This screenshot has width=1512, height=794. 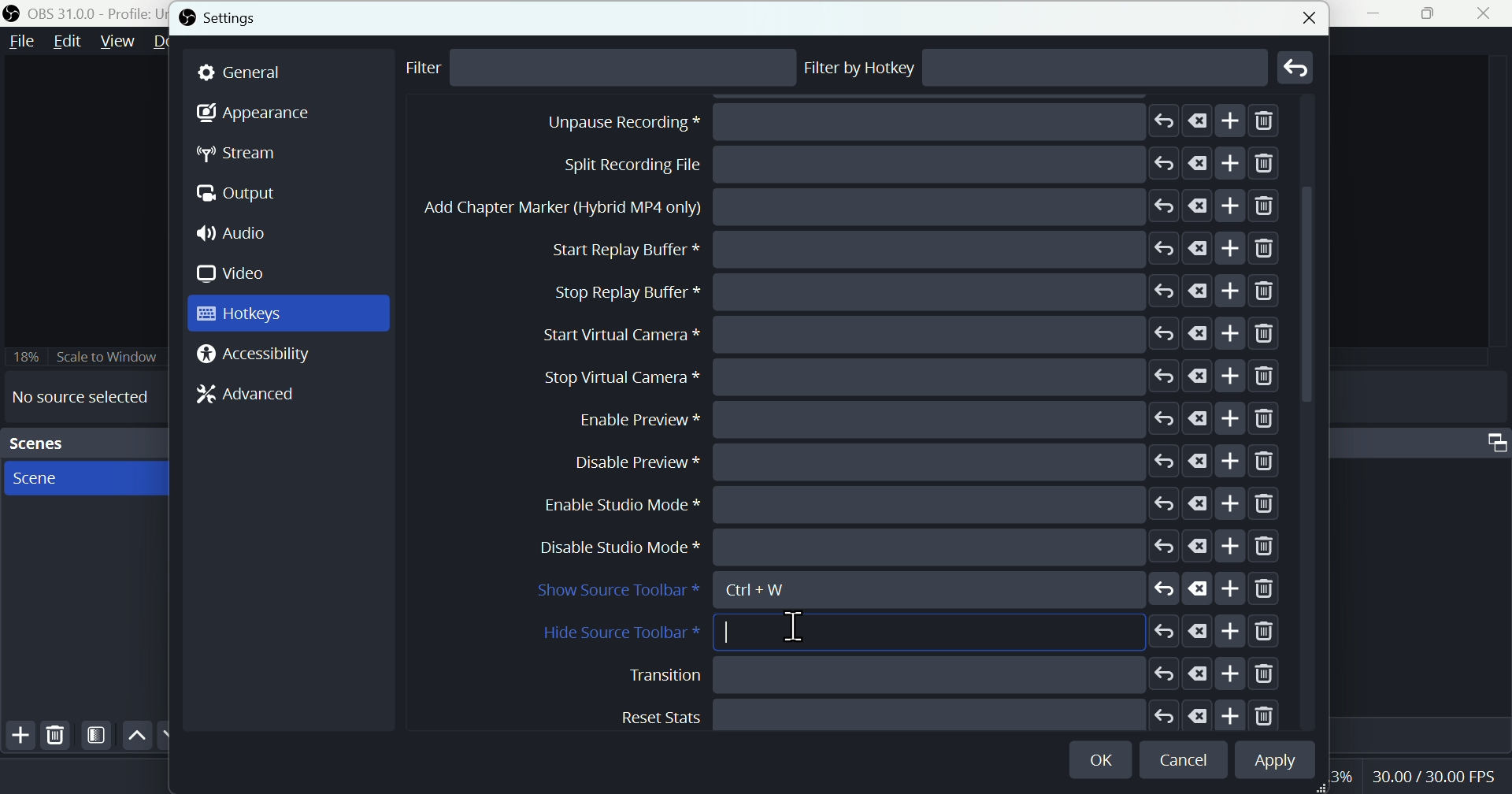 What do you see at coordinates (258, 355) in the screenshot?
I see `Accessibility` at bounding box center [258, 355].